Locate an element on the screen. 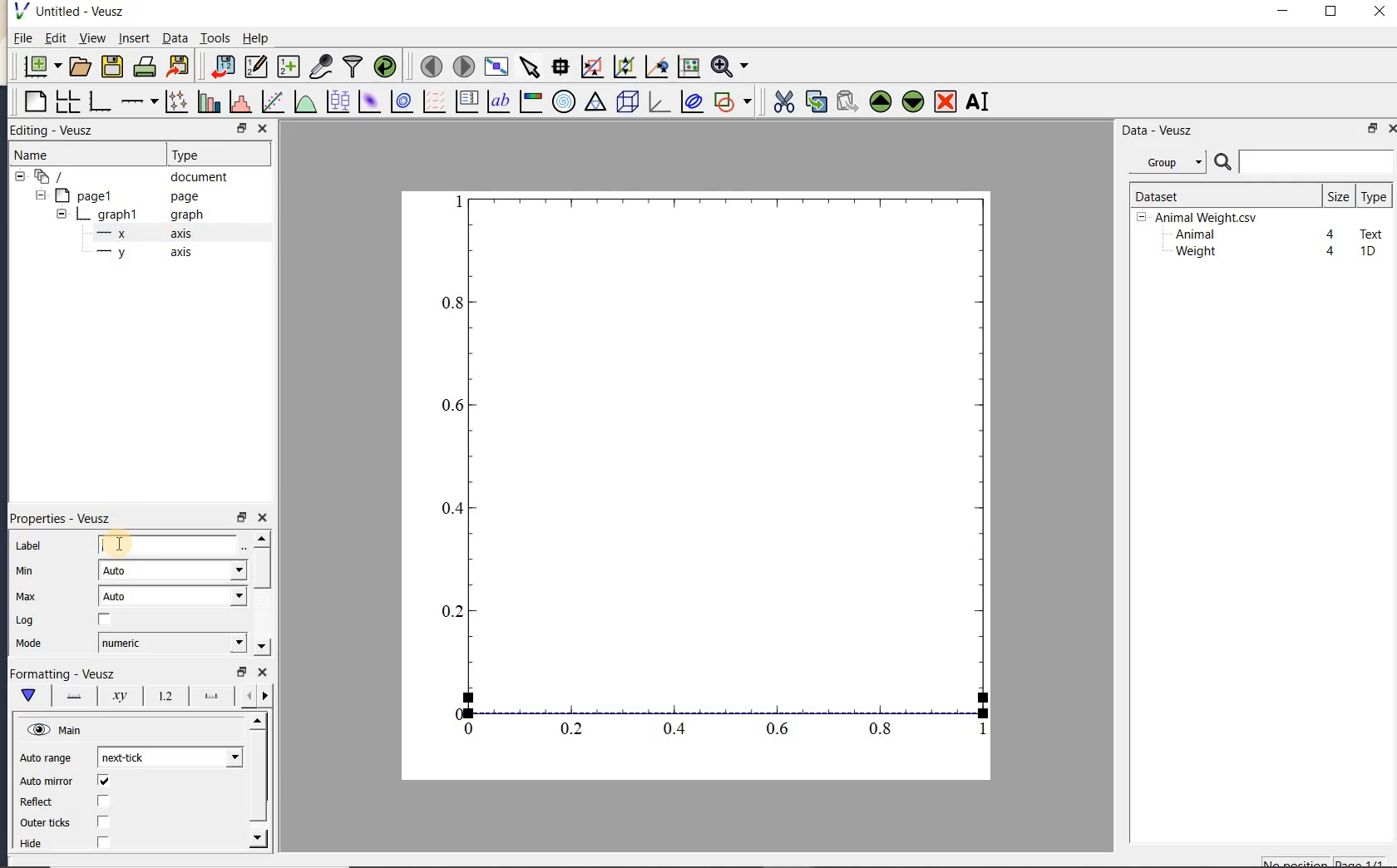  RESTORE is located at coordinates (239, 126).